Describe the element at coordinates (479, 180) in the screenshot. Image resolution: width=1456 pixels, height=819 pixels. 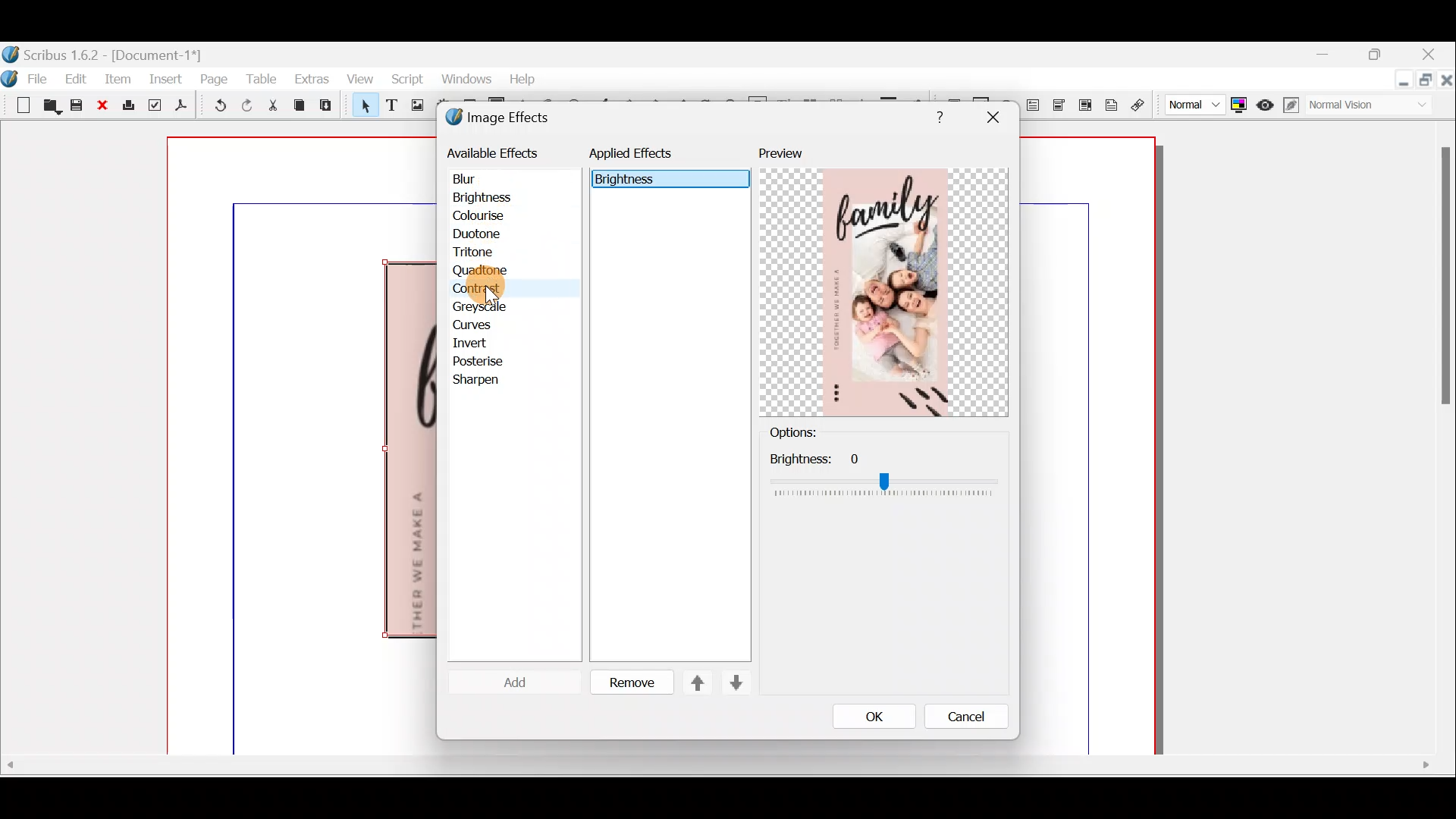
I see `Blur` at that location.